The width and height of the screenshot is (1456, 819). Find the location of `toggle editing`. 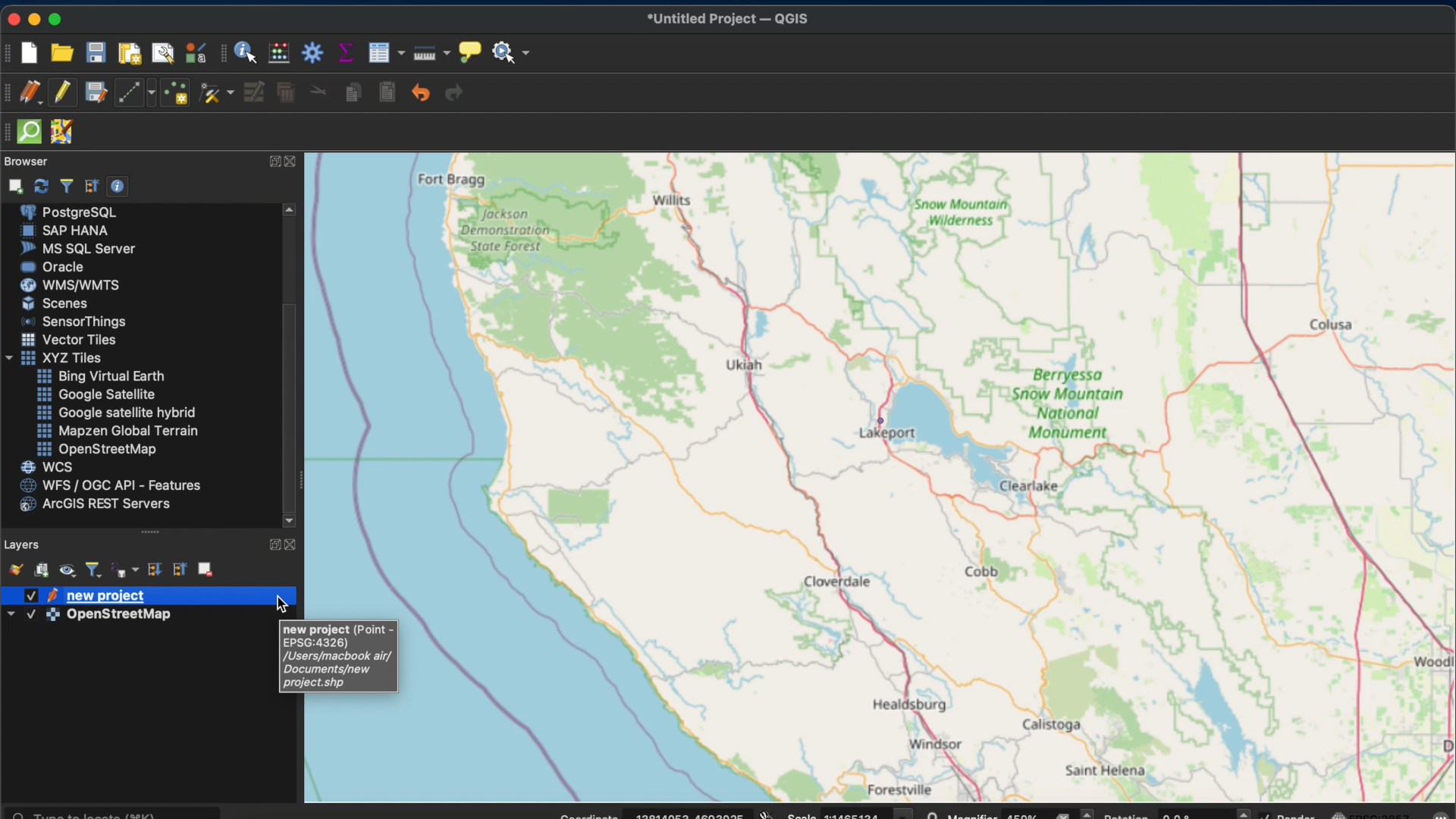

toggle editing is located at coordinates (62, 94).